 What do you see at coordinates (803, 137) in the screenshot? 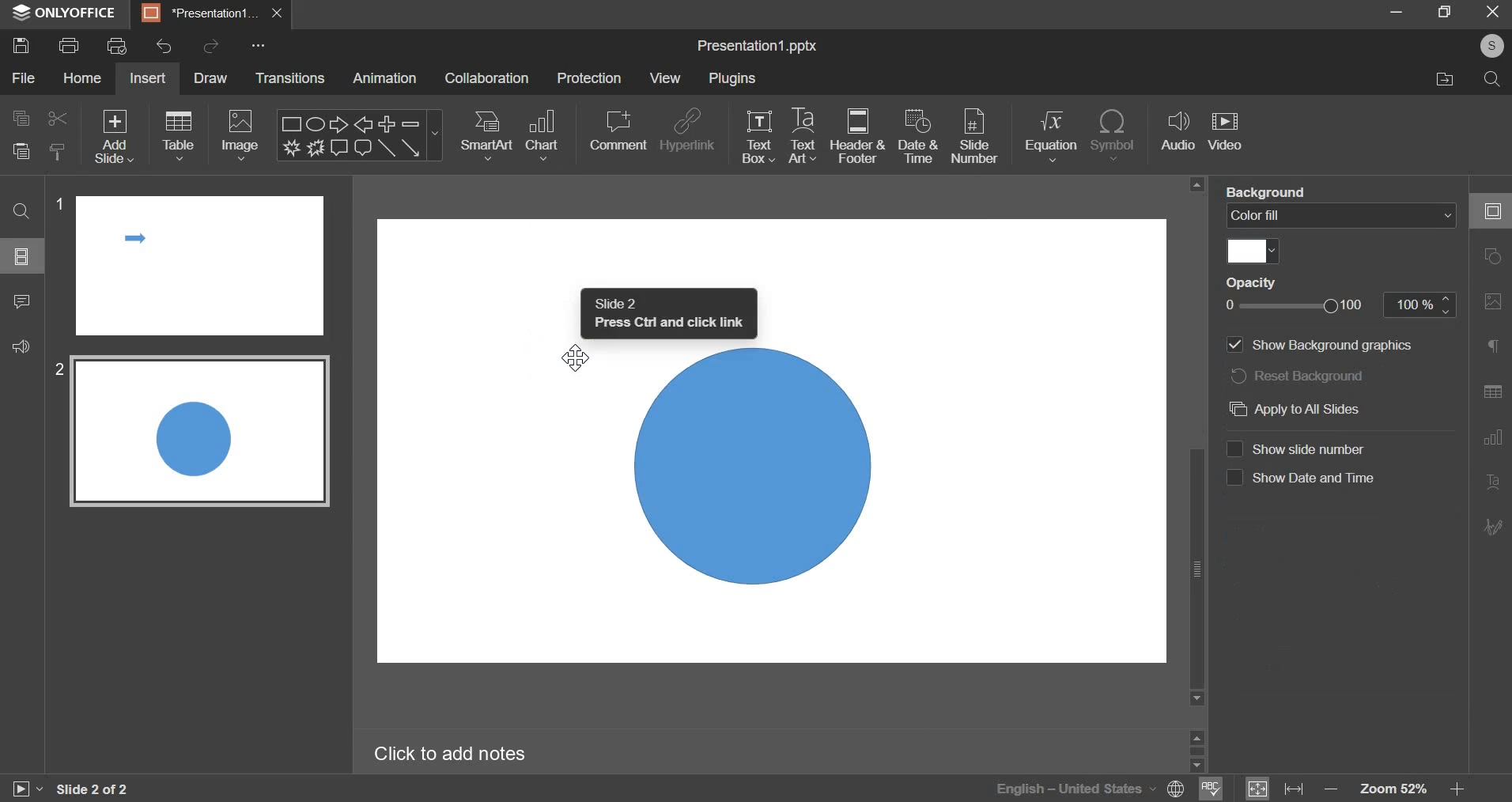
I see `text art` at bounding box center [803, 137].